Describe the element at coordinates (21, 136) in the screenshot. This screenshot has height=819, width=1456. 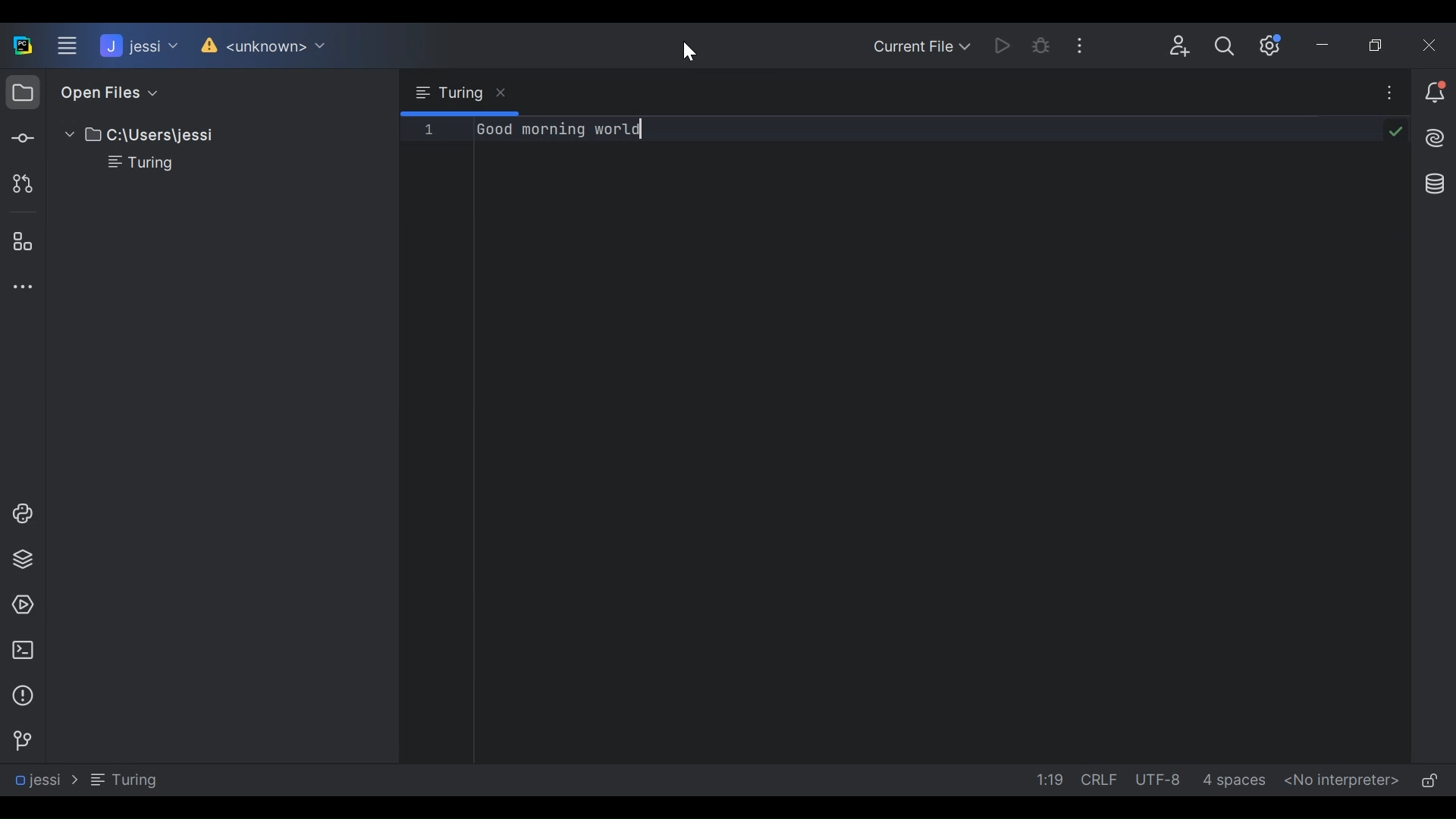
I see `Commit` at that location.